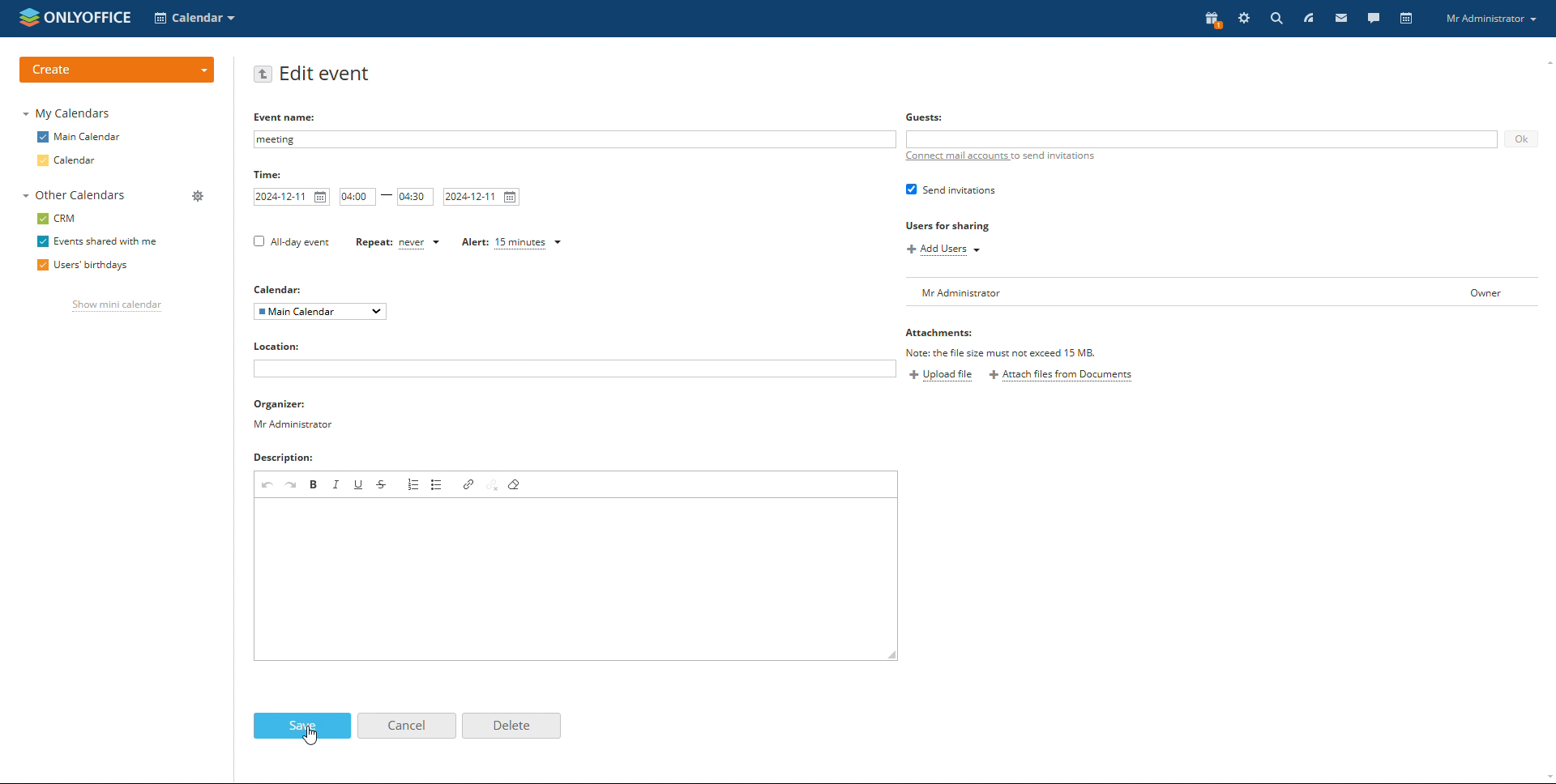  What do you see at coordinates (415, 484) in the screenshot?
I see `insert/remove numbered list` at bounding box center [415, 484].